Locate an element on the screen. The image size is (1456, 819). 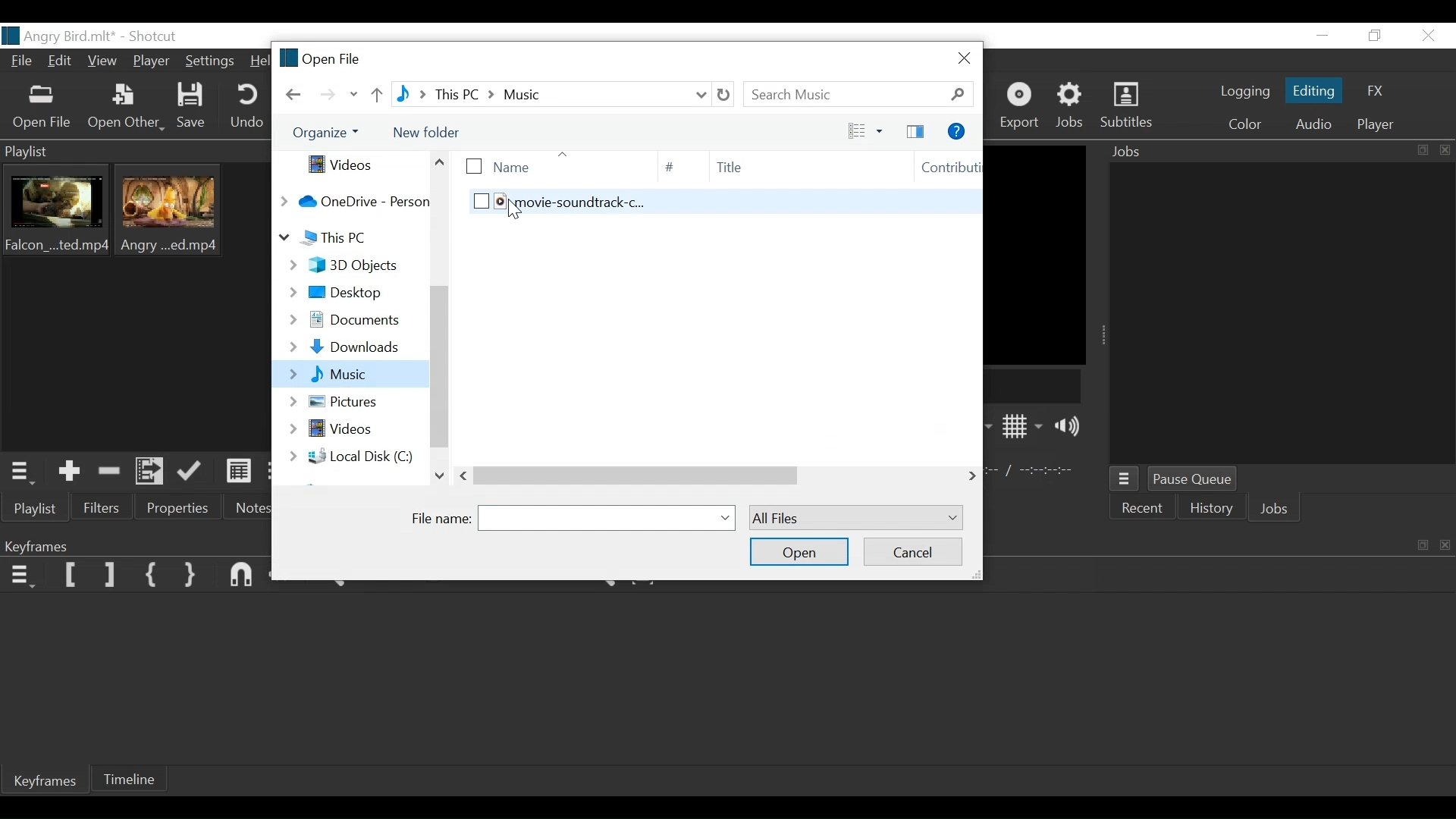
Pause Queue is located at coordinates (1191, 479).